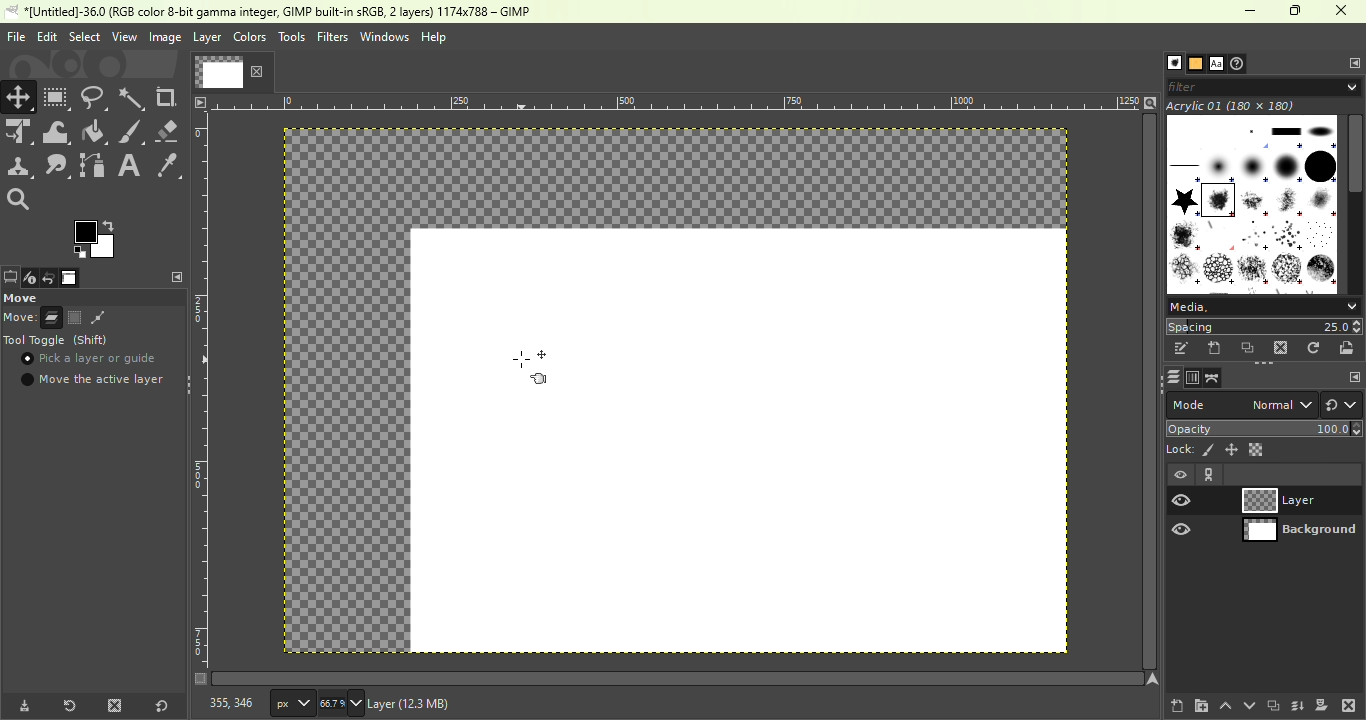  Describe the element at coordinates (274, 12) in the screenshot. I see `untitled -36.0 (rgb color 8-bit gamma integer , gimp built in stgb, 1 layer) 1174x788 - gimp` at that location.